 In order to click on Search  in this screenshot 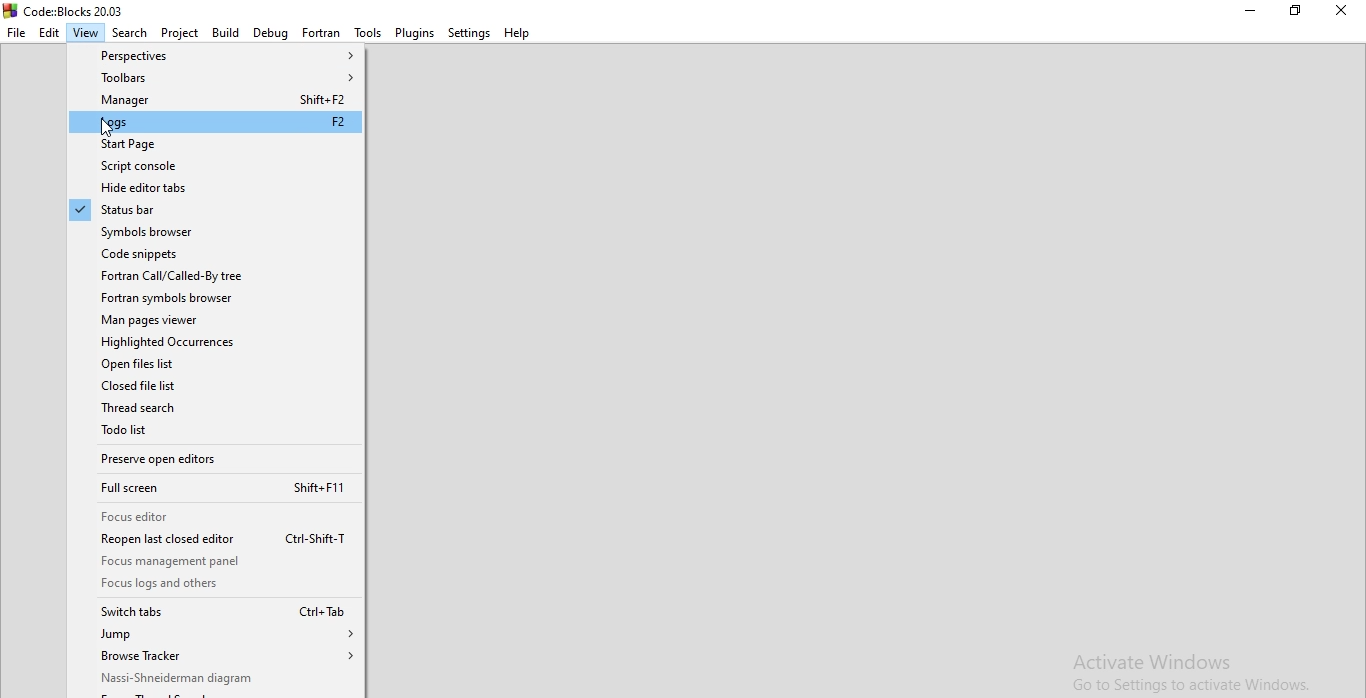, I will do `click(130, 32)`.